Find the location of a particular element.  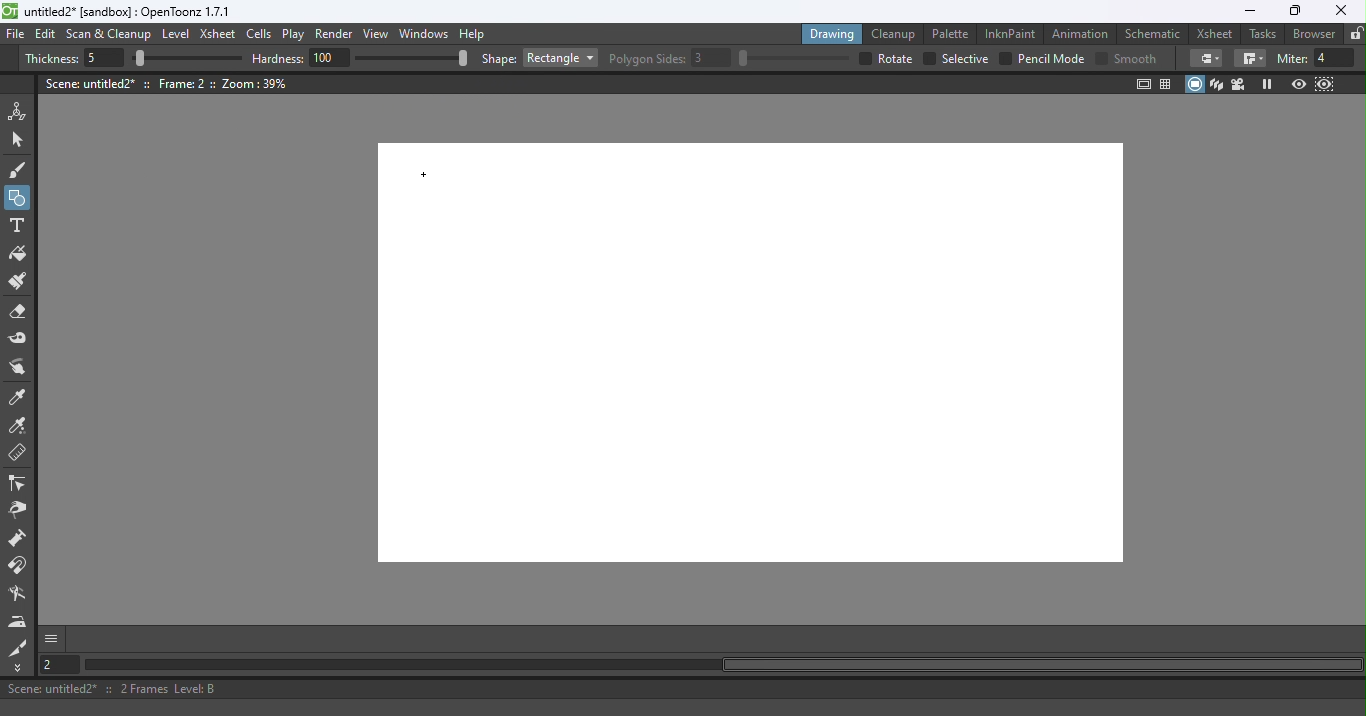

Border corners is located at coordinates (1250, 59).